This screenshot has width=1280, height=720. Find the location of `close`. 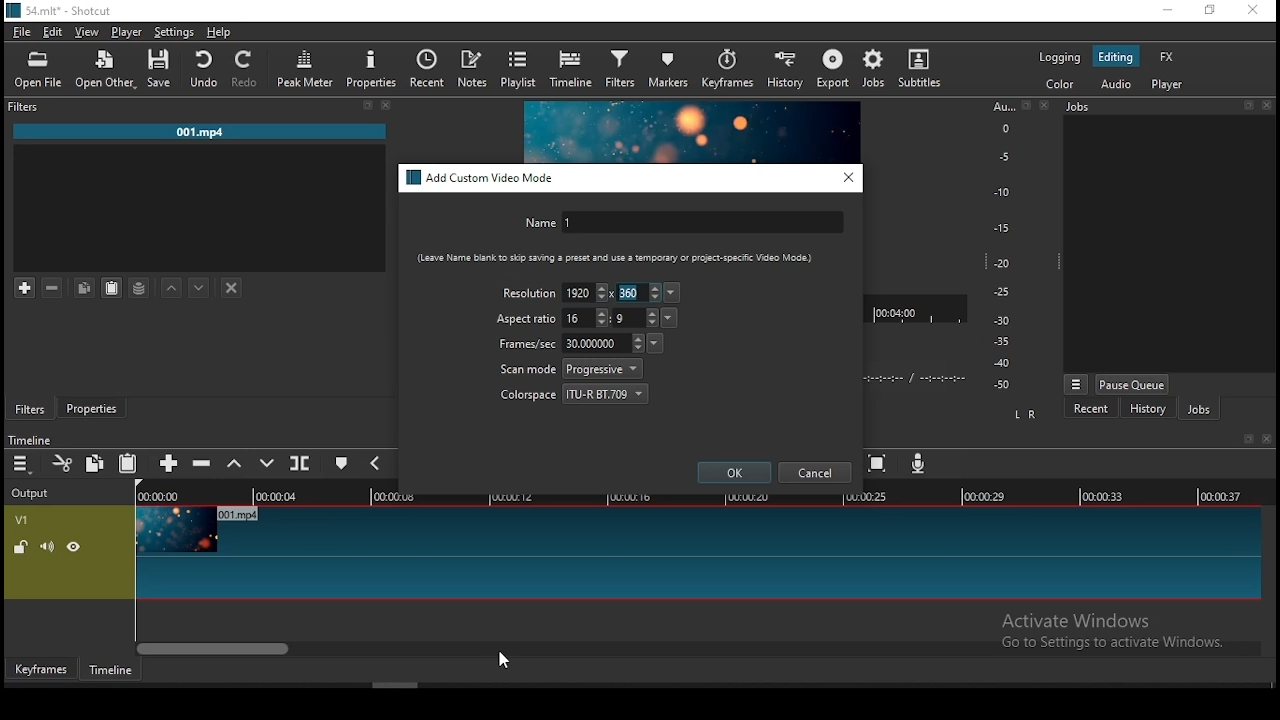

close is located at coordinates (1047, 105).